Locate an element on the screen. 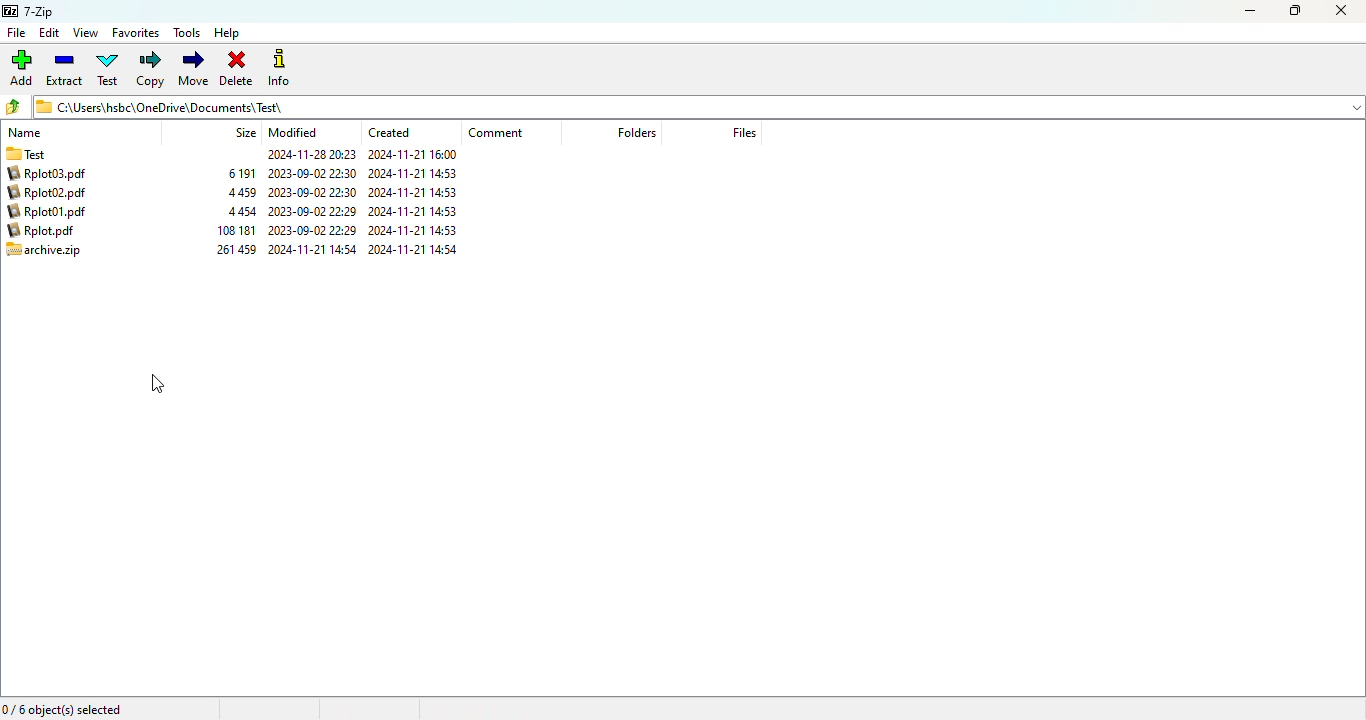 Image resolution: width=1366 pixels, height=720 pixels. extract is located at coordinates (65, 69).